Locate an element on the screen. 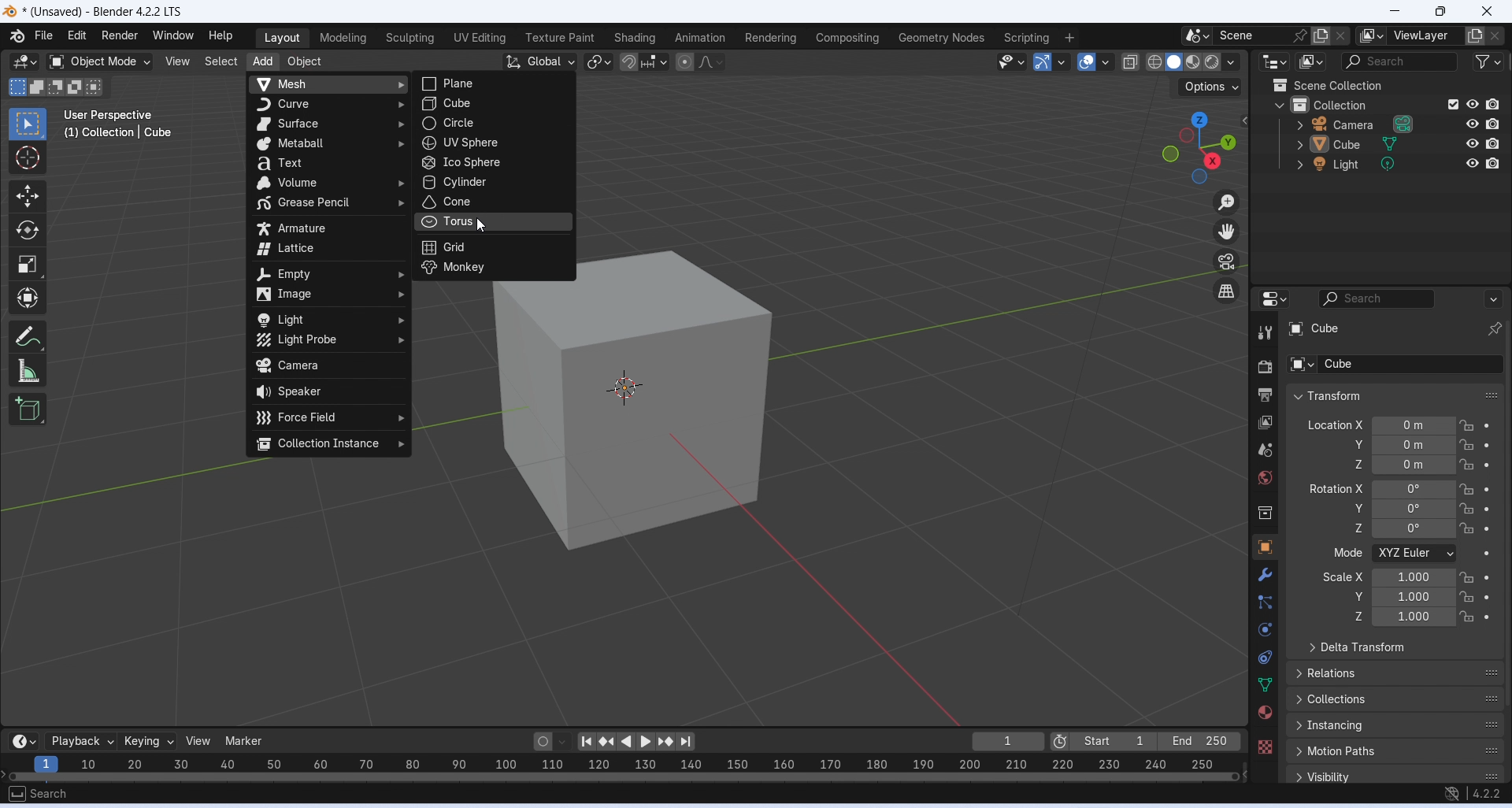 This screenshot has height=808, width=1512. Relations is located at coordinates (1397, 673).